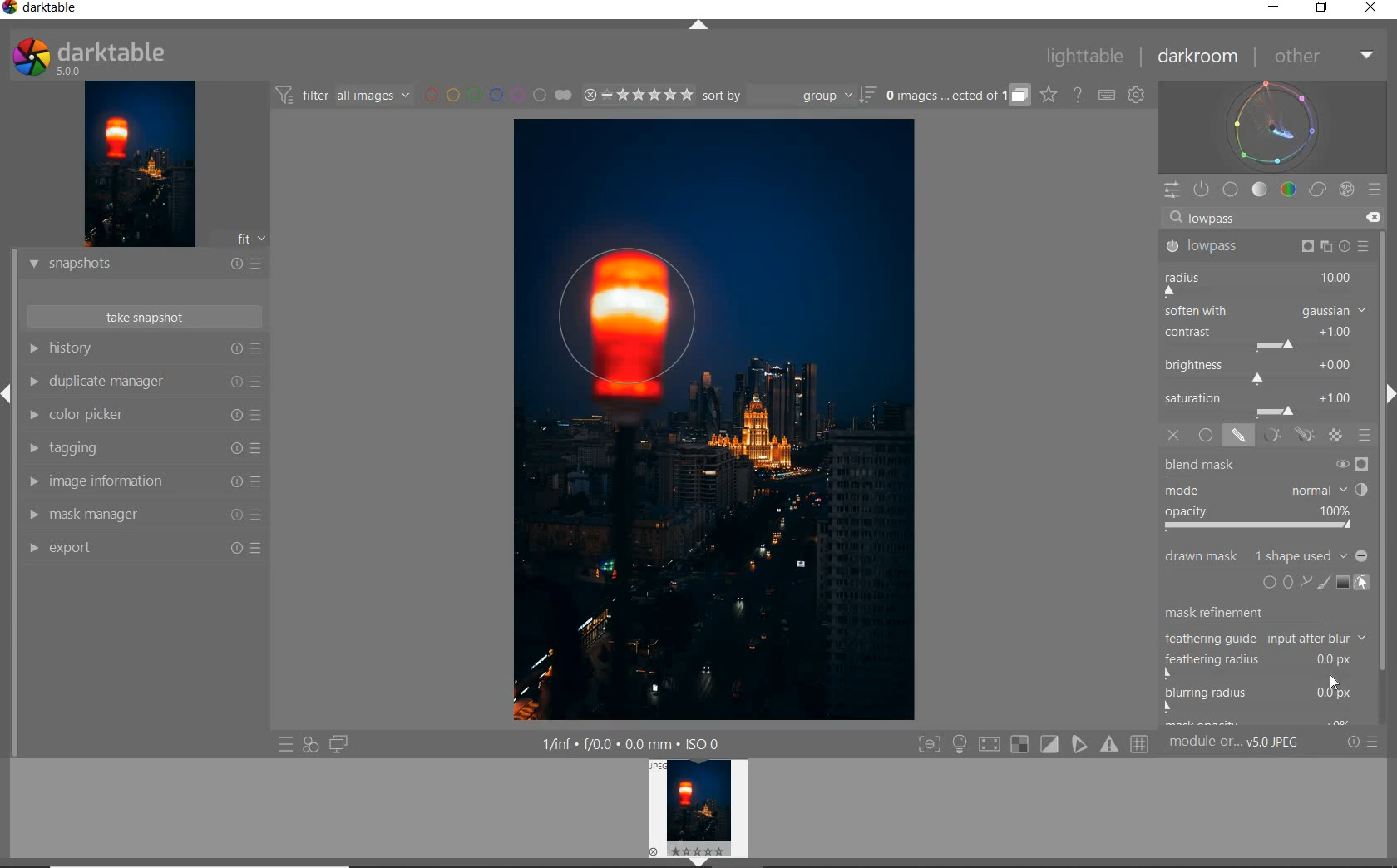  What do you see at coordinates (1266, 494) in the screenshot?
I see `BLEND MASK` at bounding box center [1266, 494].